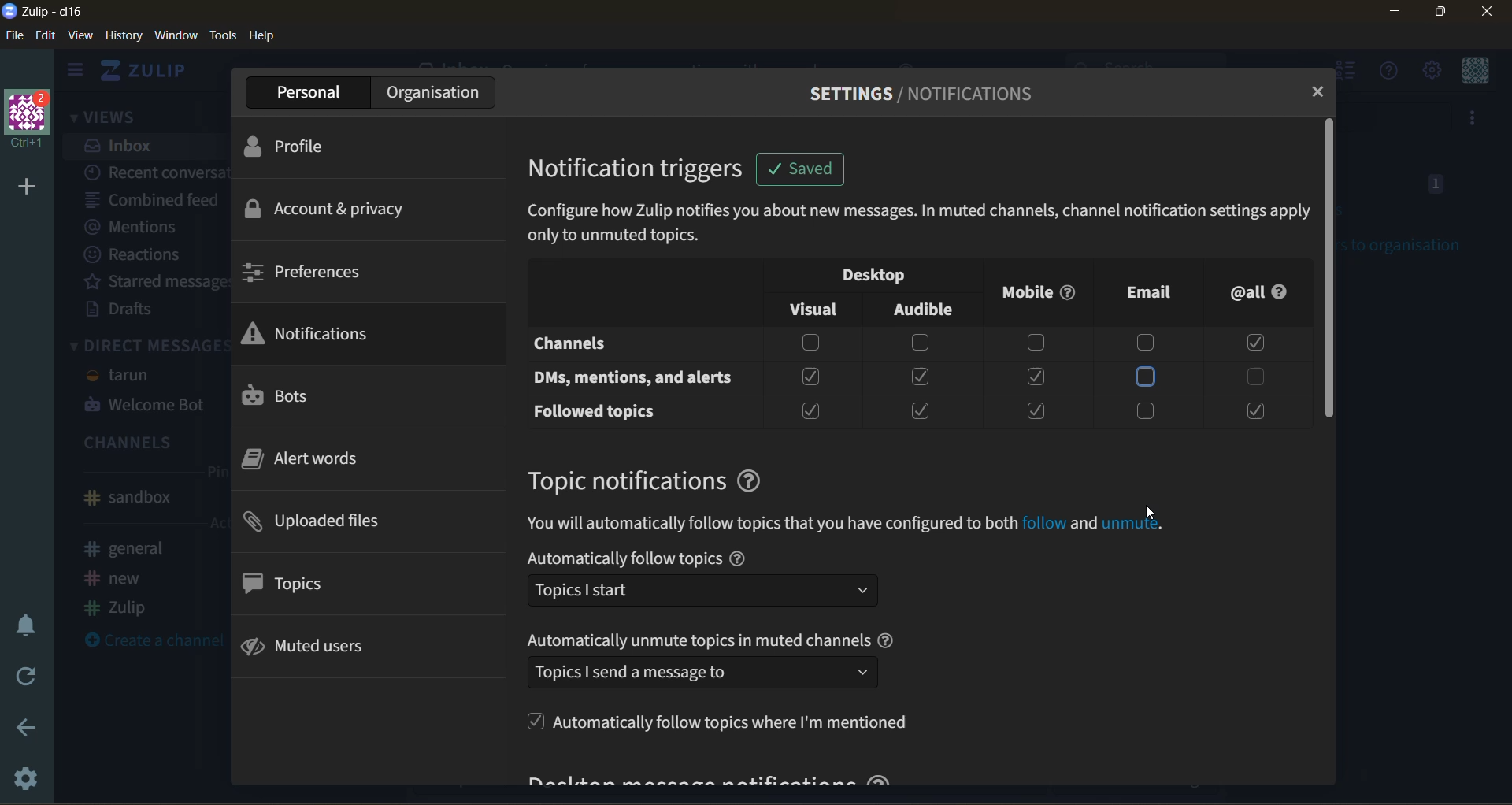 The image size is (1512, 805). What do you see at coordinates (1321, 92) in the screenshot?
I see `close` at bounding box center [1321, 92].